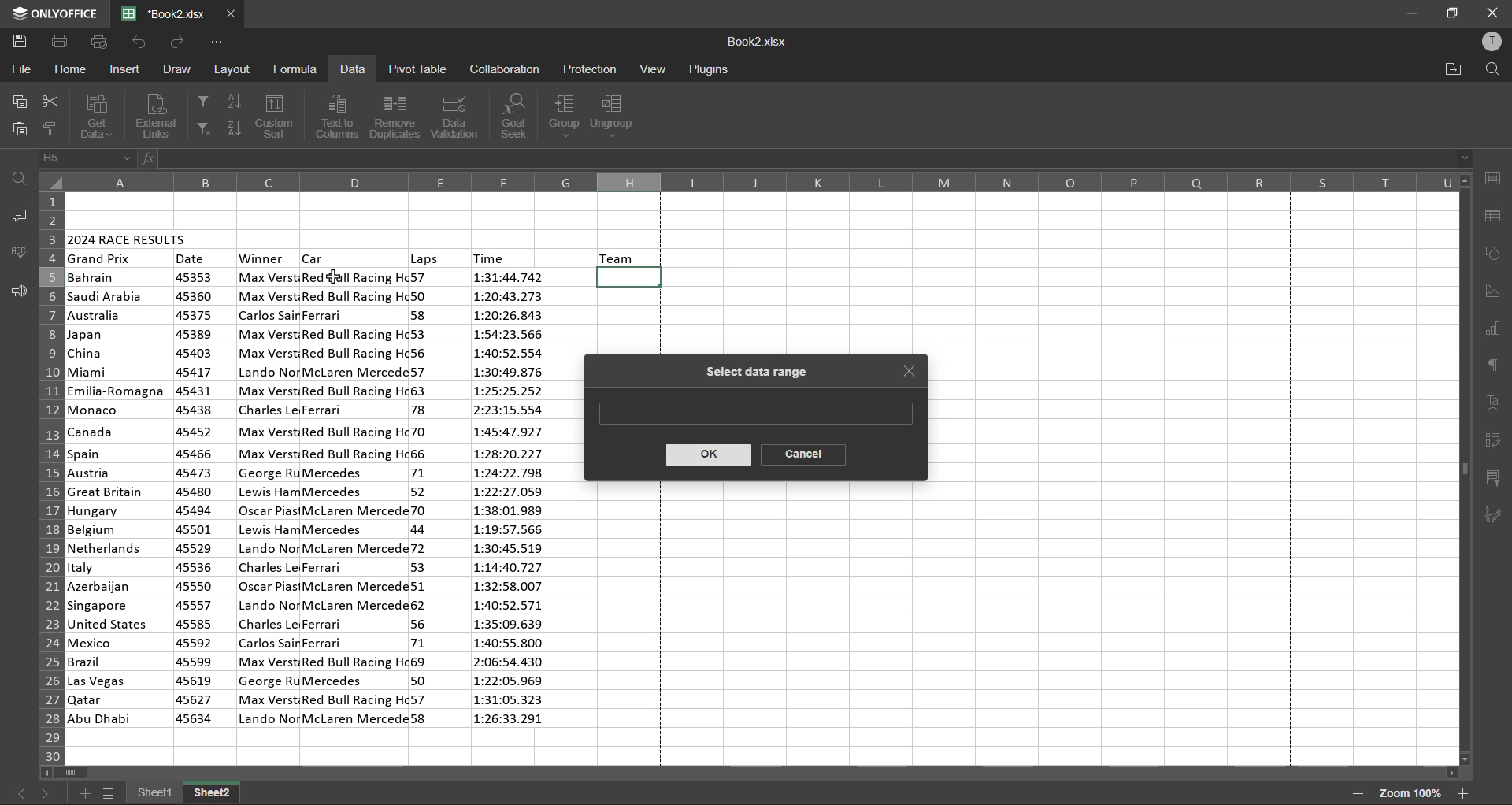 The image size is (1512, 805). What do you see at coordinates (1493, 331) in the screenshot?
I see `charts` at bounding box center [1493, 331].